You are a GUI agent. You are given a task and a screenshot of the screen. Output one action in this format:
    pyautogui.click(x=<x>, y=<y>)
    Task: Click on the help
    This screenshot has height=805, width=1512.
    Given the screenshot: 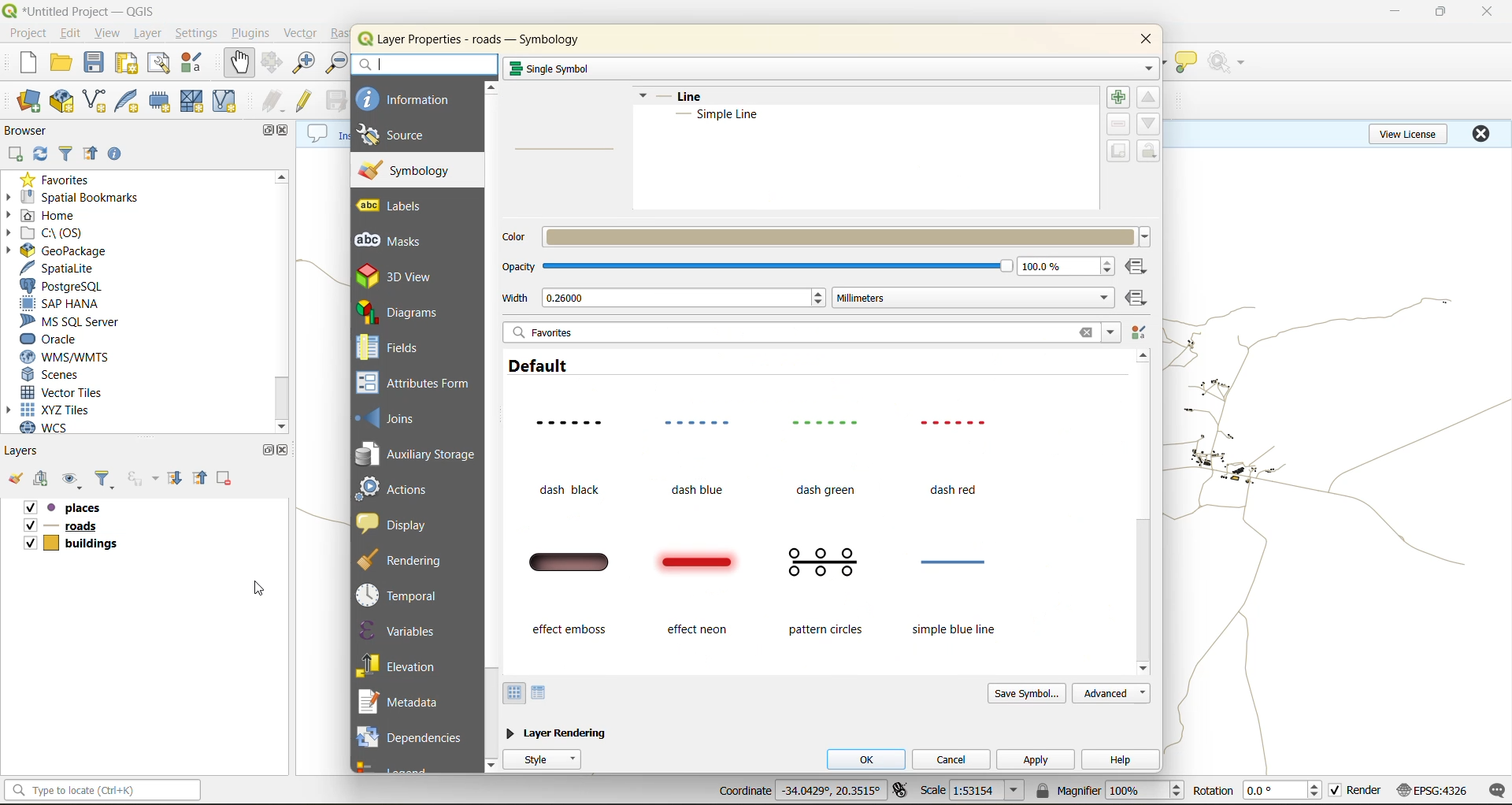 What is the action you would take?
    pyautogui.click(x=1121, y=759)
    